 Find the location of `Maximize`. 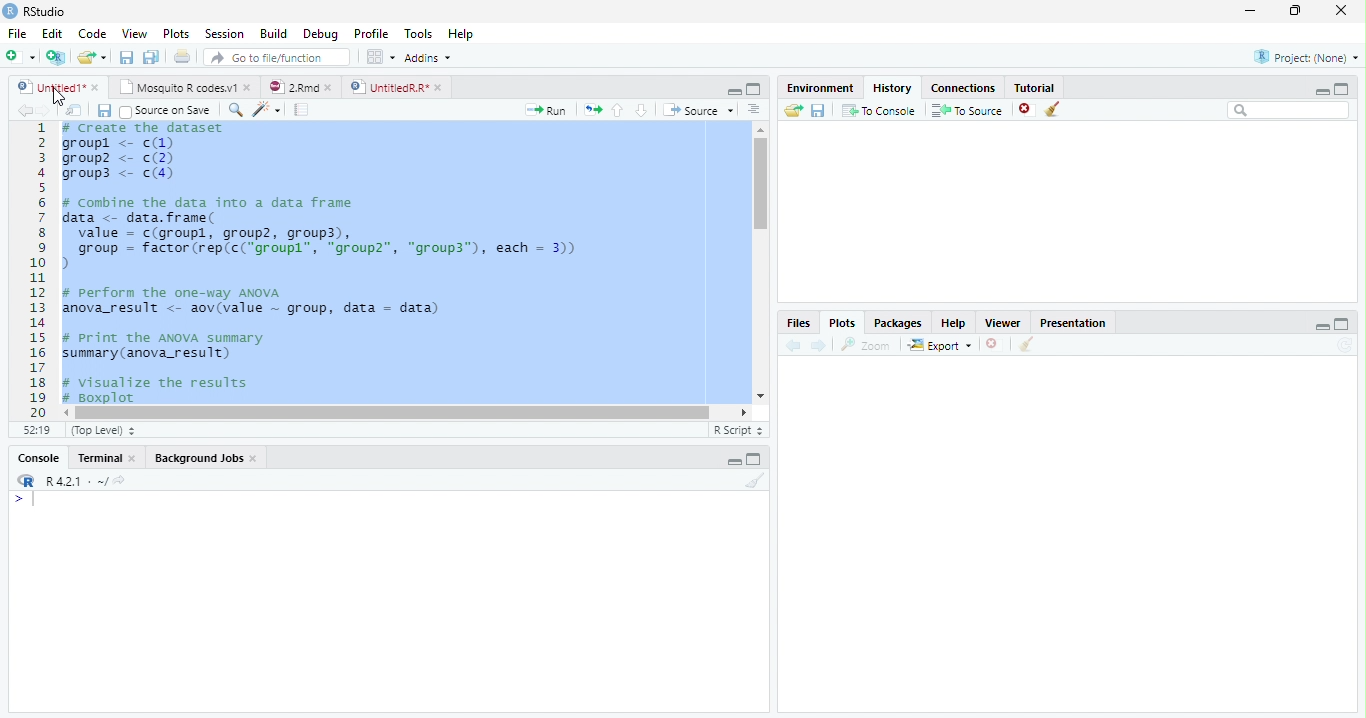

Maximize is located at coordinates (1342, 325).